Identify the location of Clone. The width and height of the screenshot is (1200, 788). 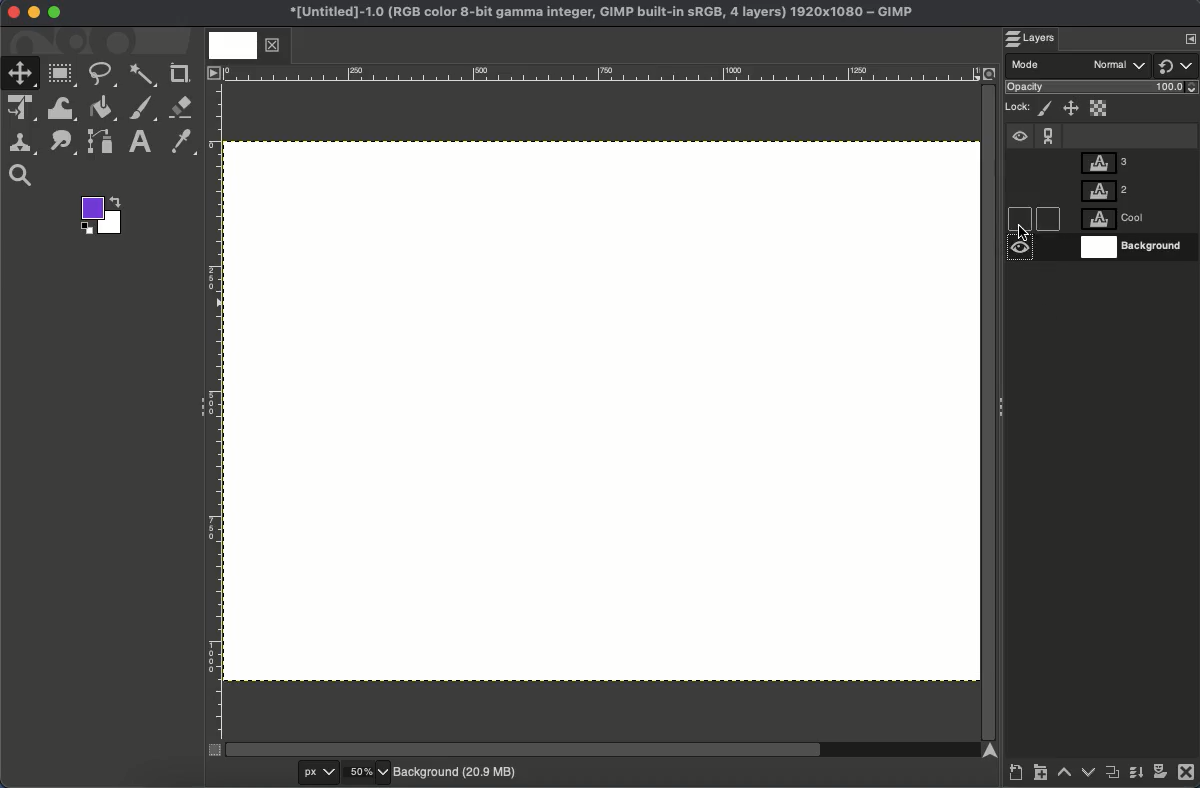
(25, 143).